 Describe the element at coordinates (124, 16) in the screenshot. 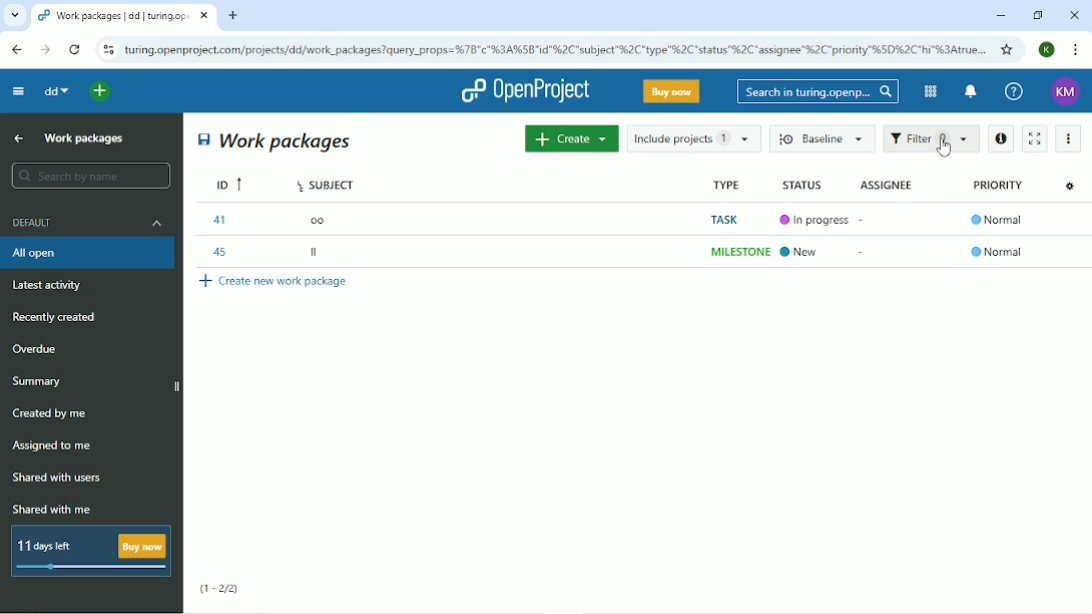

I see `Current tab` at that location.